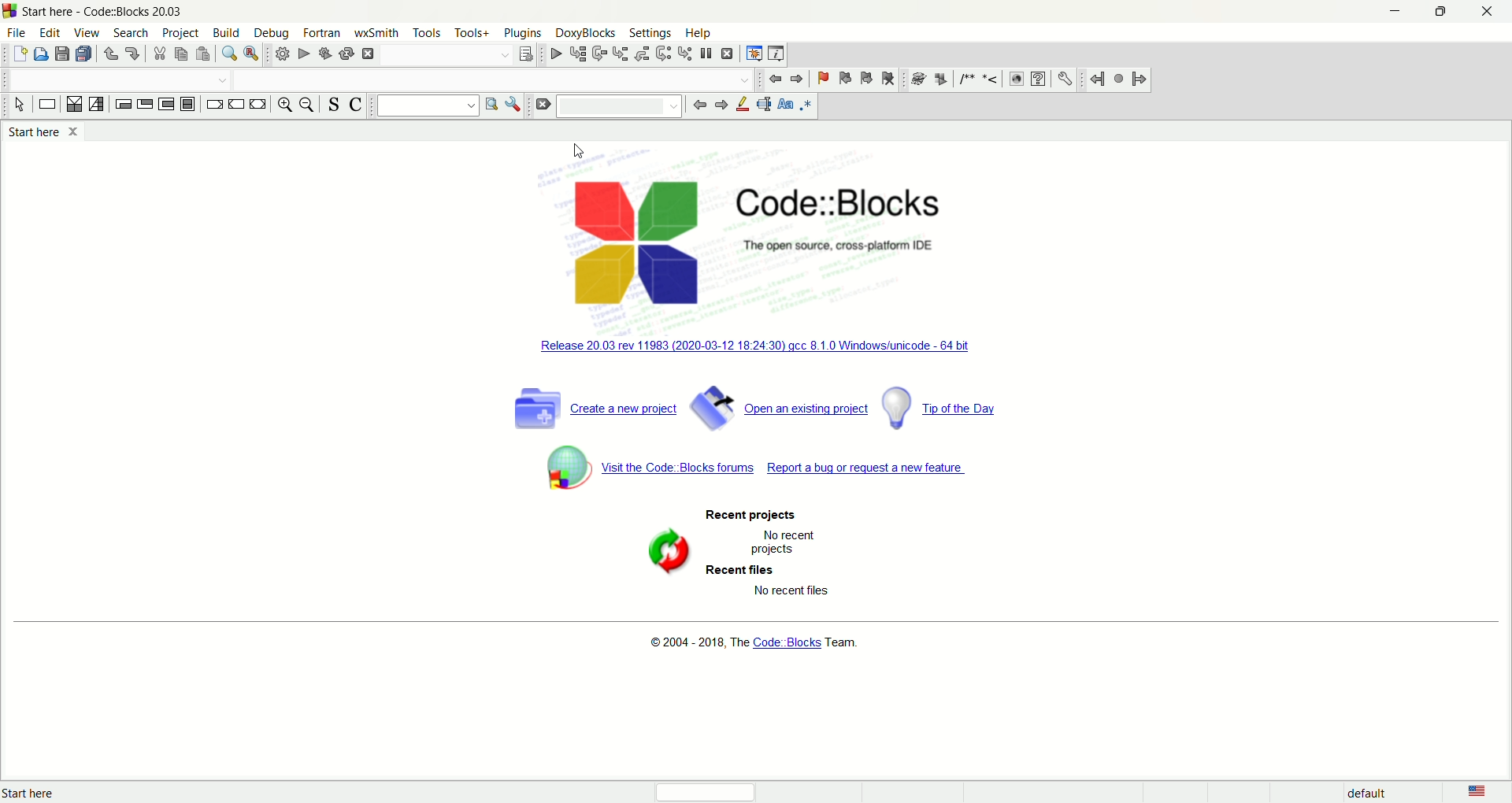 This screenshot has height=803, width=1512. I want to click on windows unicode, so click(769, 347).